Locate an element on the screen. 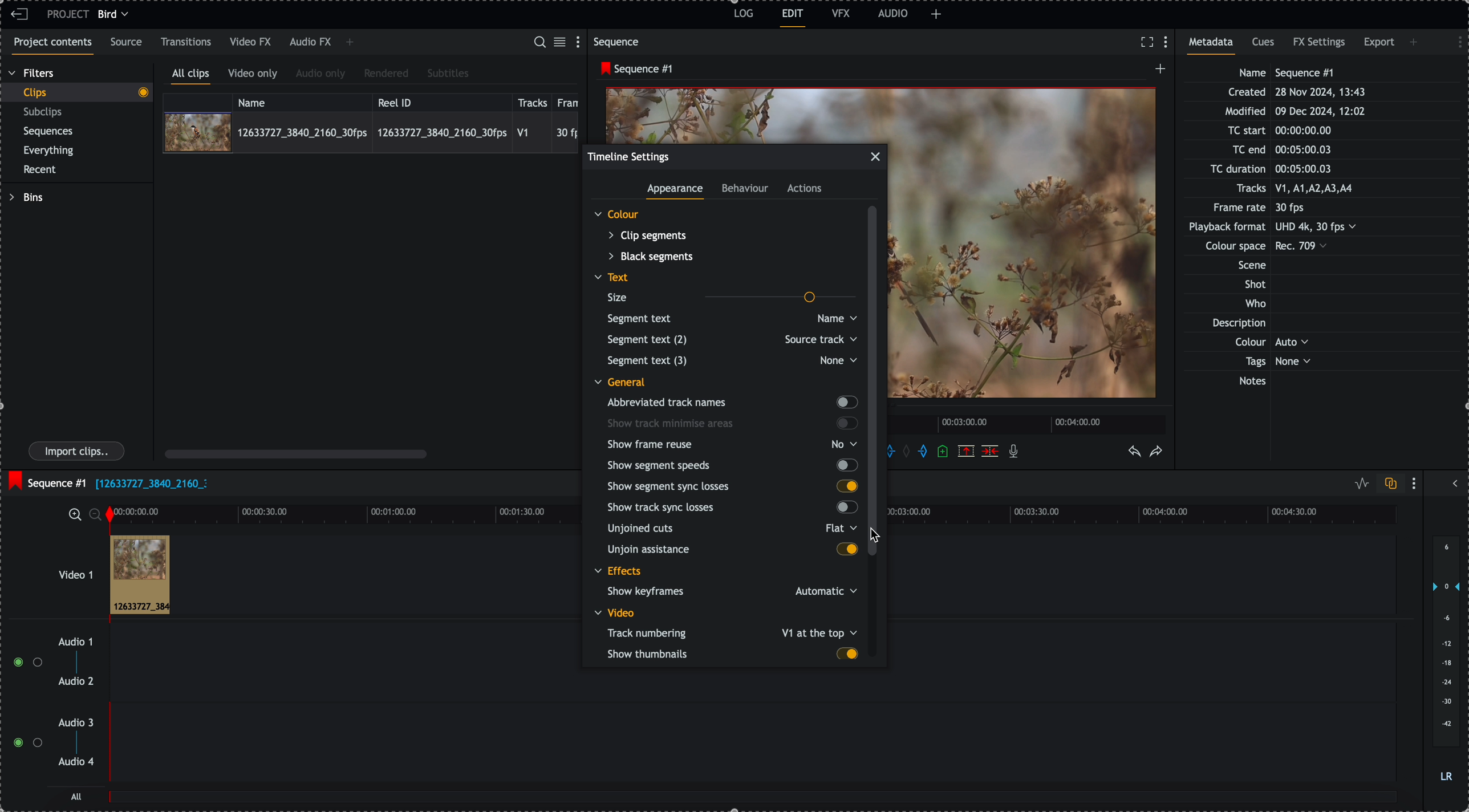 Image resolution: width=1469 pixels, height=812 pixels. sequence is located at coordinates (619, 42).